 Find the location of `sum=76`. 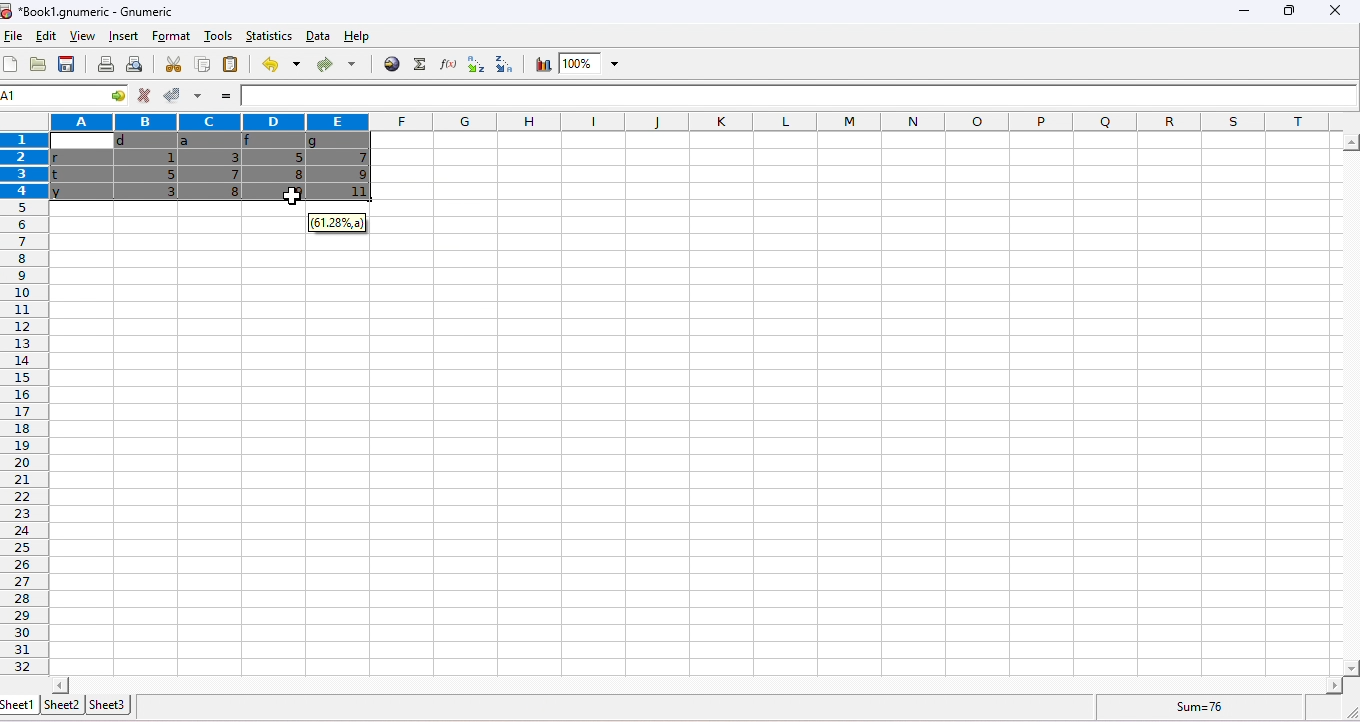

sum=76 is located at coordinates (1204, 706).